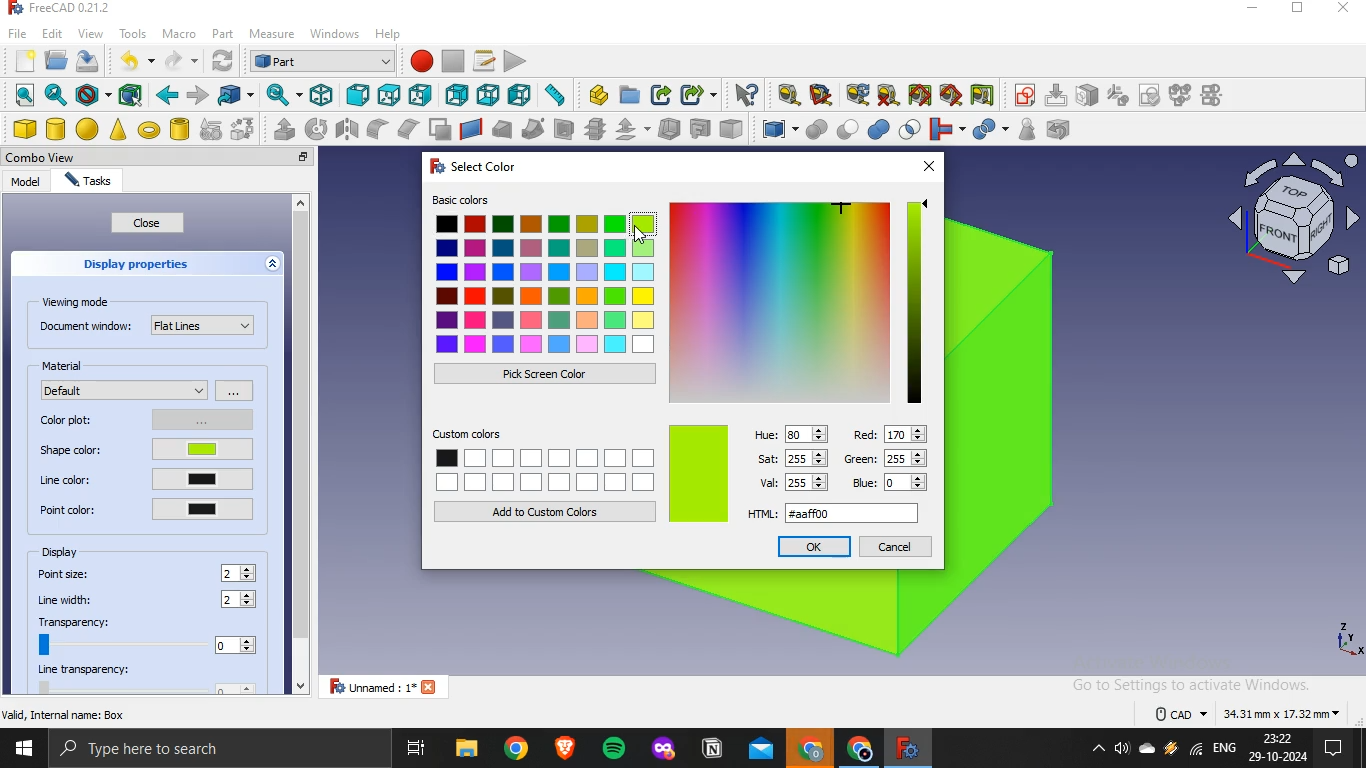 This screenshot has height=768, width=1366. Describe the element at coordinates (64, 9) in the screenshot. I see `text` at that location.